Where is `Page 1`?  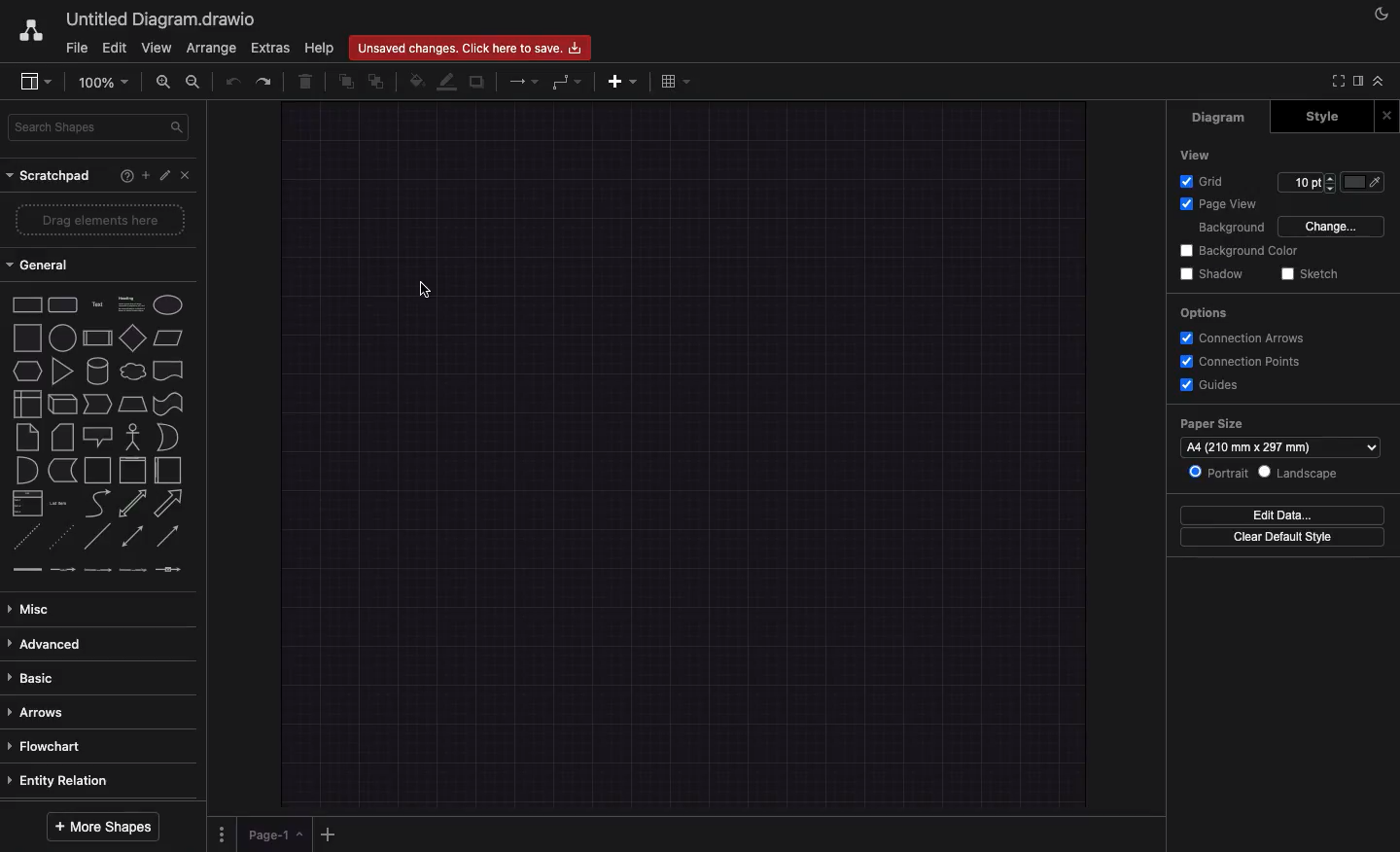 Page 1 is located at coordinates (274, 834).